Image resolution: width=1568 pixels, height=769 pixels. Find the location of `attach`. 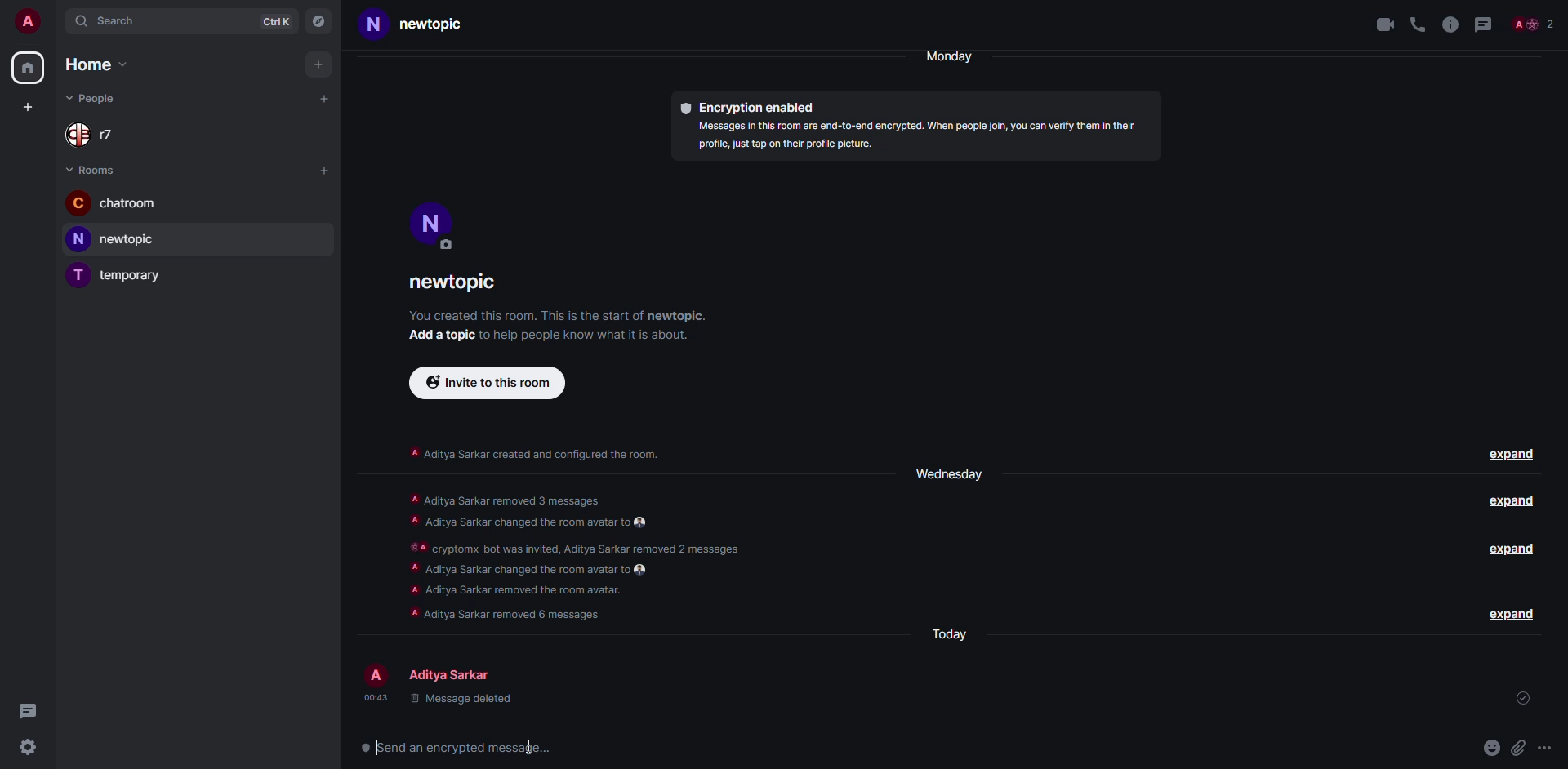

attach is located at coordinates (1521, 747).